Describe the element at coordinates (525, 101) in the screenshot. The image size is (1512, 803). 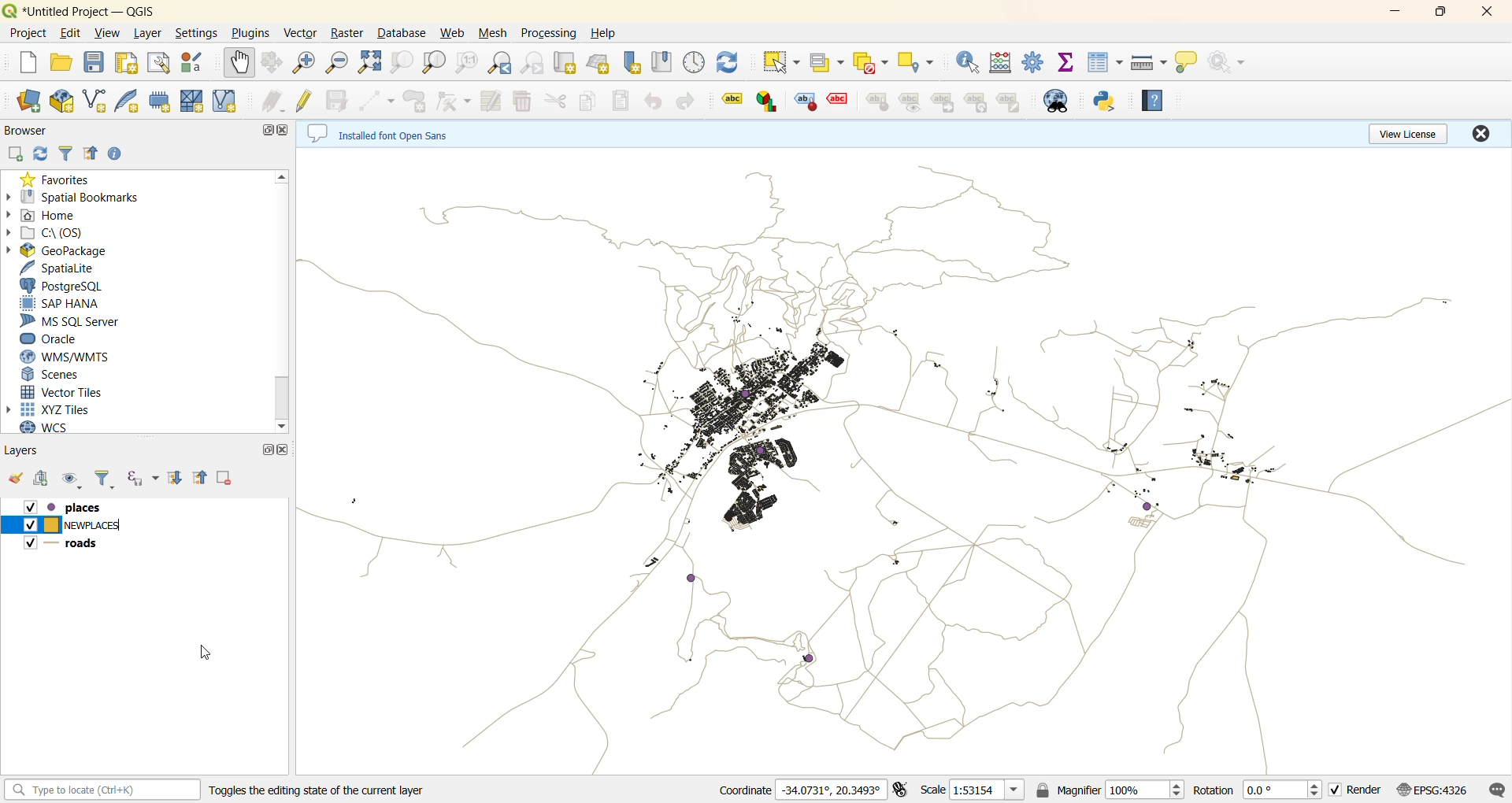
I see `delete` at that location.